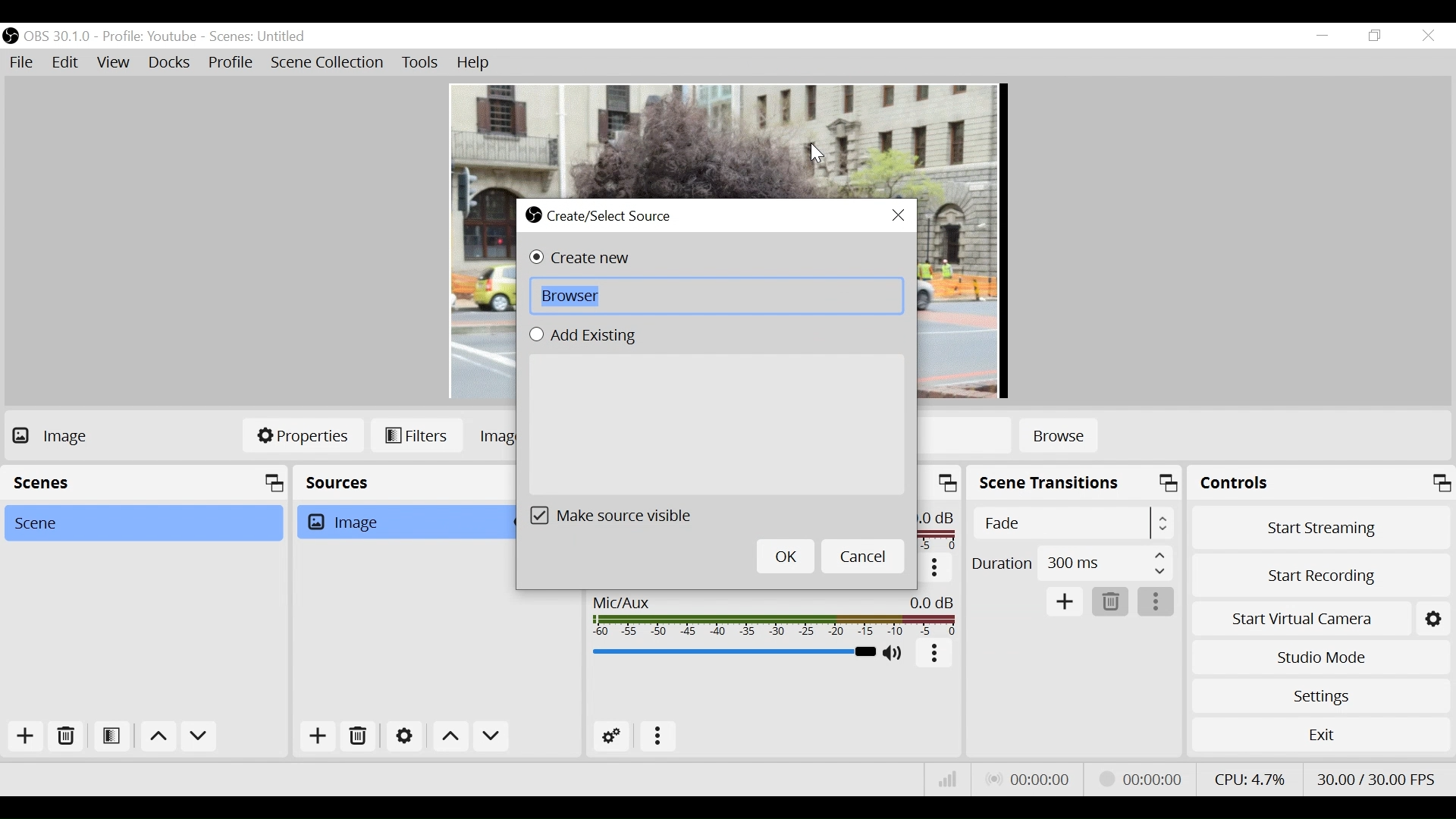  What do you see at coordinates (1428, 36) in the screenshot?
I see `Close` at bounding box center [1428, 36].